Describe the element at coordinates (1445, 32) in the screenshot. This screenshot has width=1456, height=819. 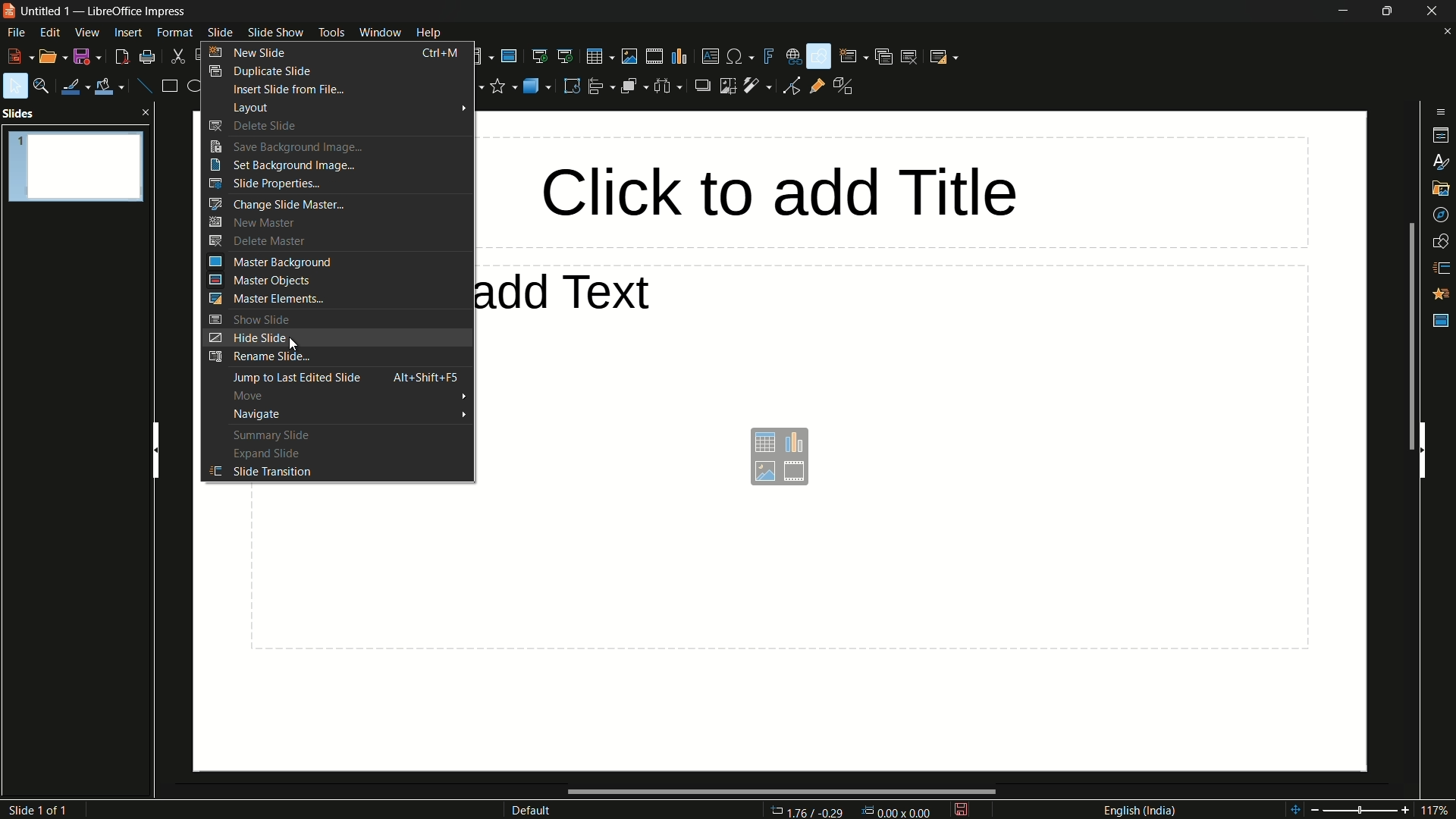
I see `close document` at that location.